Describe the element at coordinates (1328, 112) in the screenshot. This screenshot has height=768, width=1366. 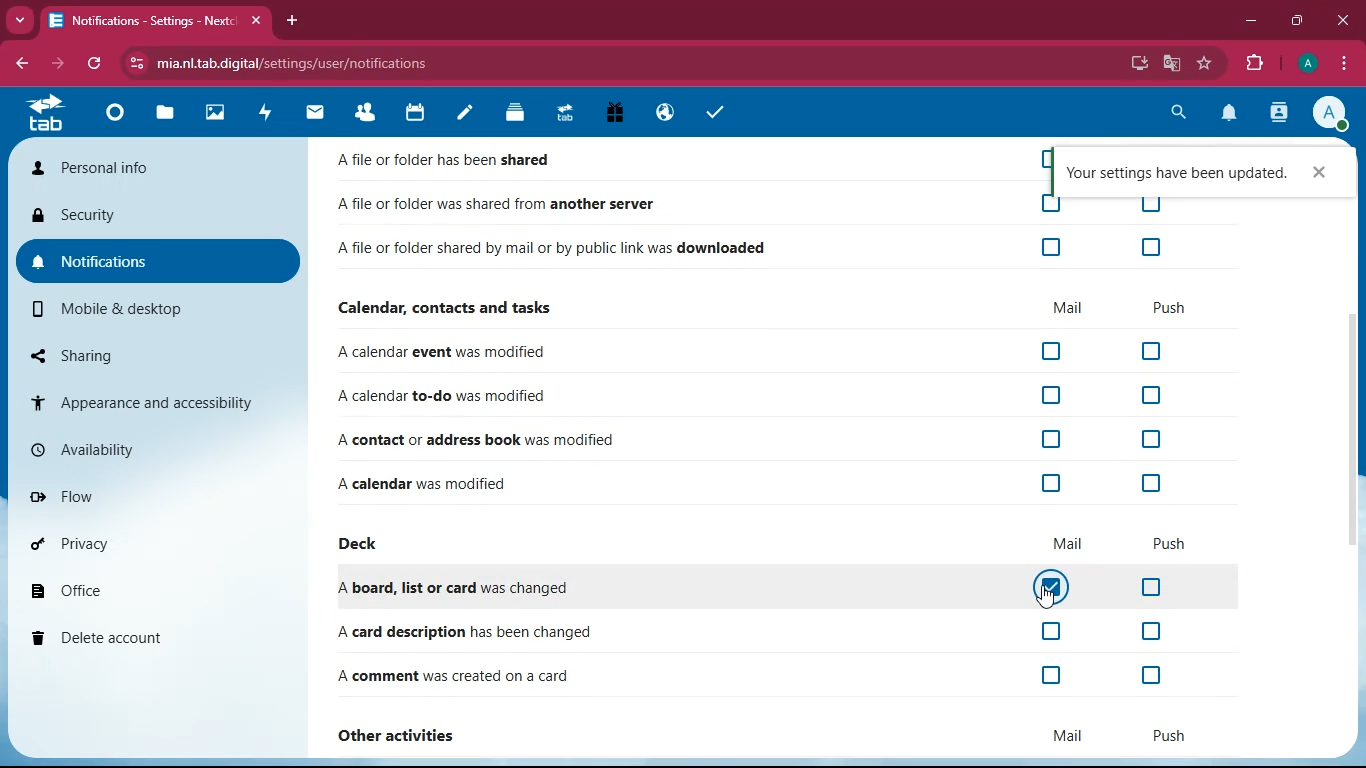
I see `Account` at that location.